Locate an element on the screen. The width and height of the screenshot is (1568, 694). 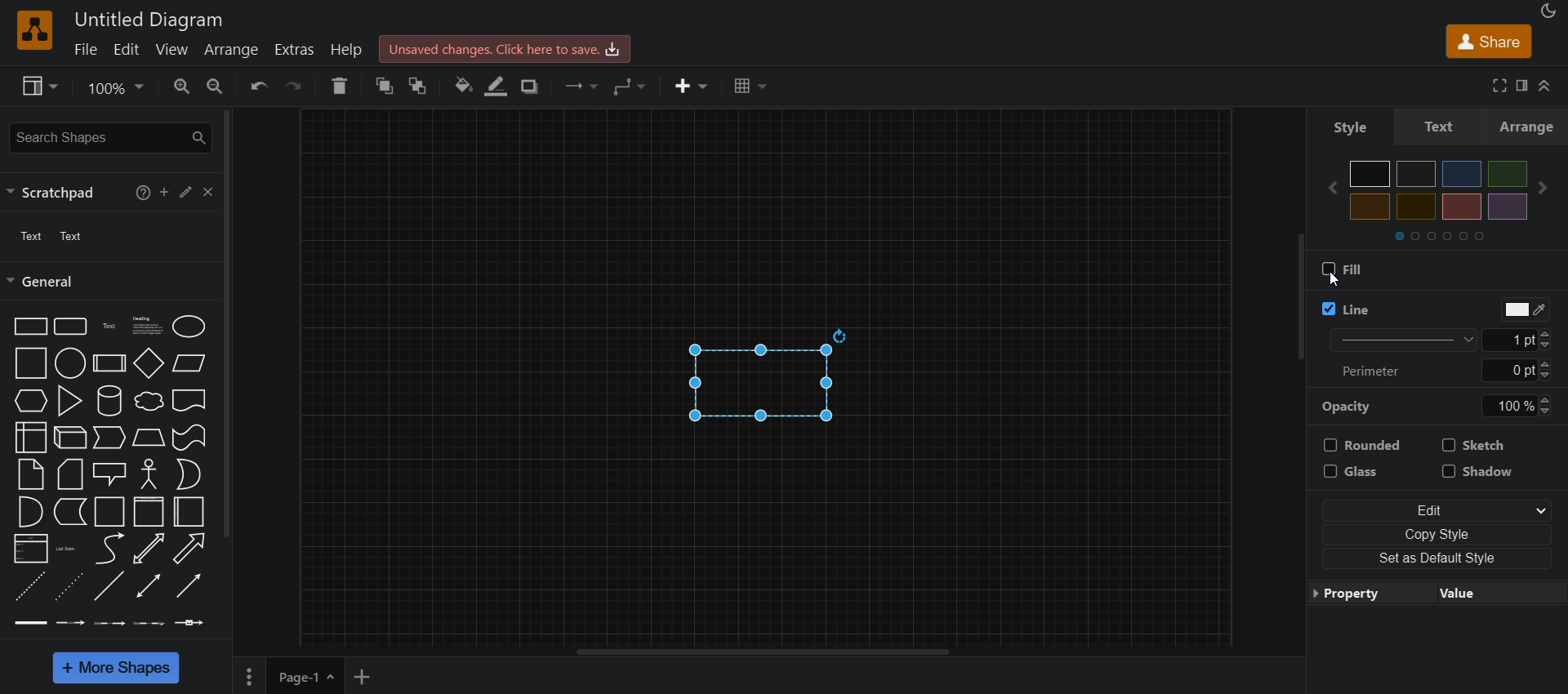
orange is located at coordinates (1371, 207).